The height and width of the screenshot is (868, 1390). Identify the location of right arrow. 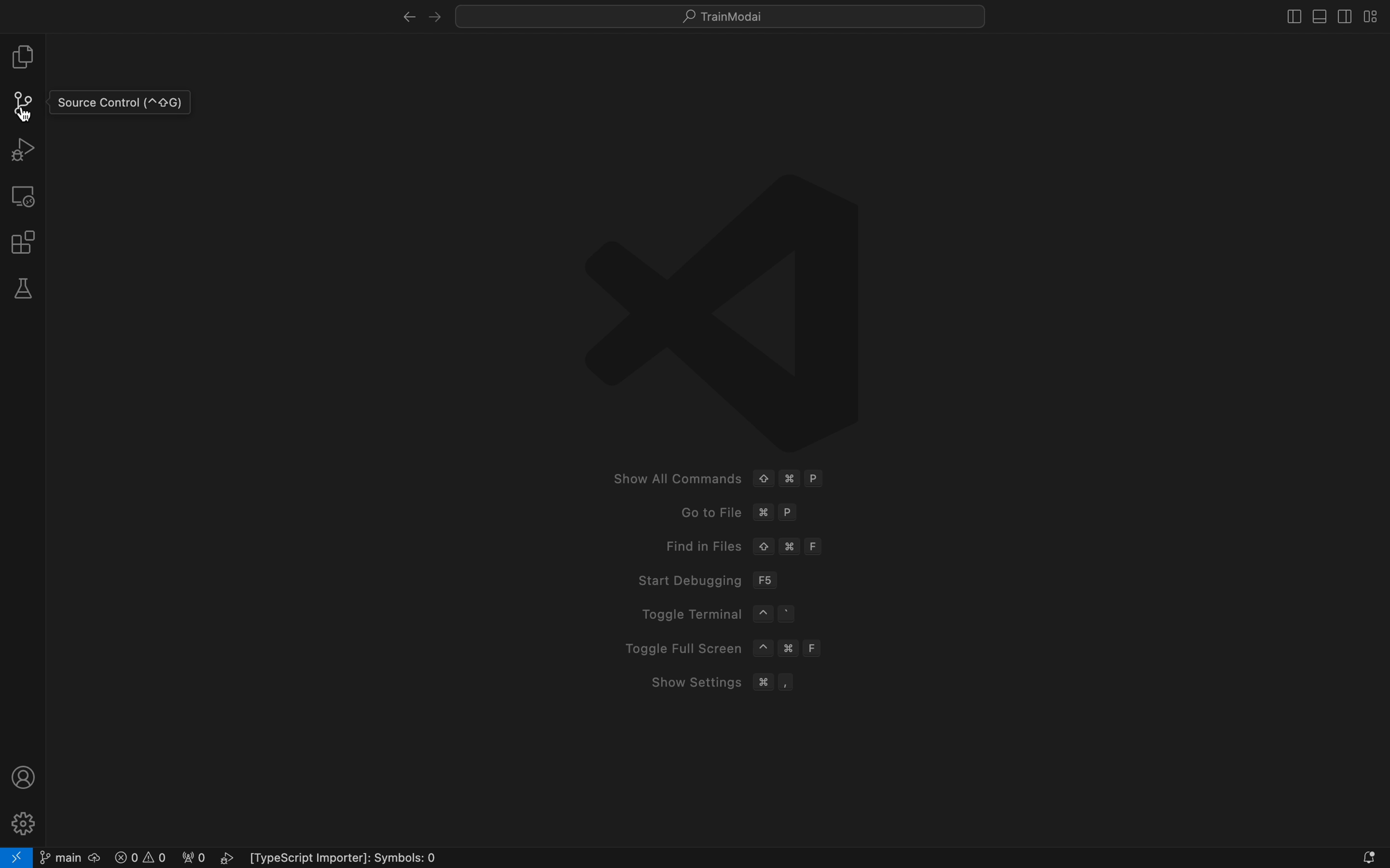
(408, 13).